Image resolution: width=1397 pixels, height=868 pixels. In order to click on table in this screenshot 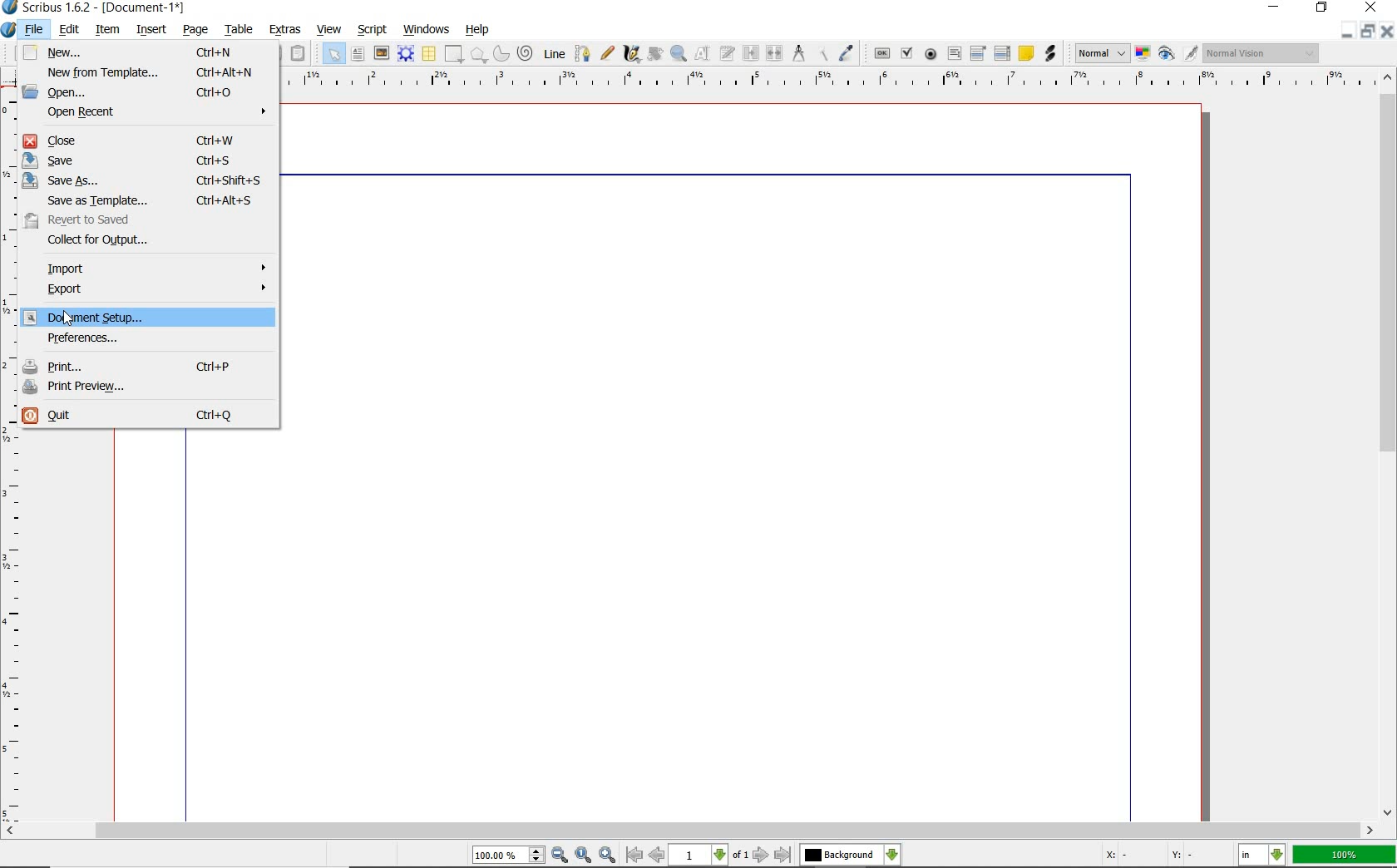, I will do `click(428, 53)`.